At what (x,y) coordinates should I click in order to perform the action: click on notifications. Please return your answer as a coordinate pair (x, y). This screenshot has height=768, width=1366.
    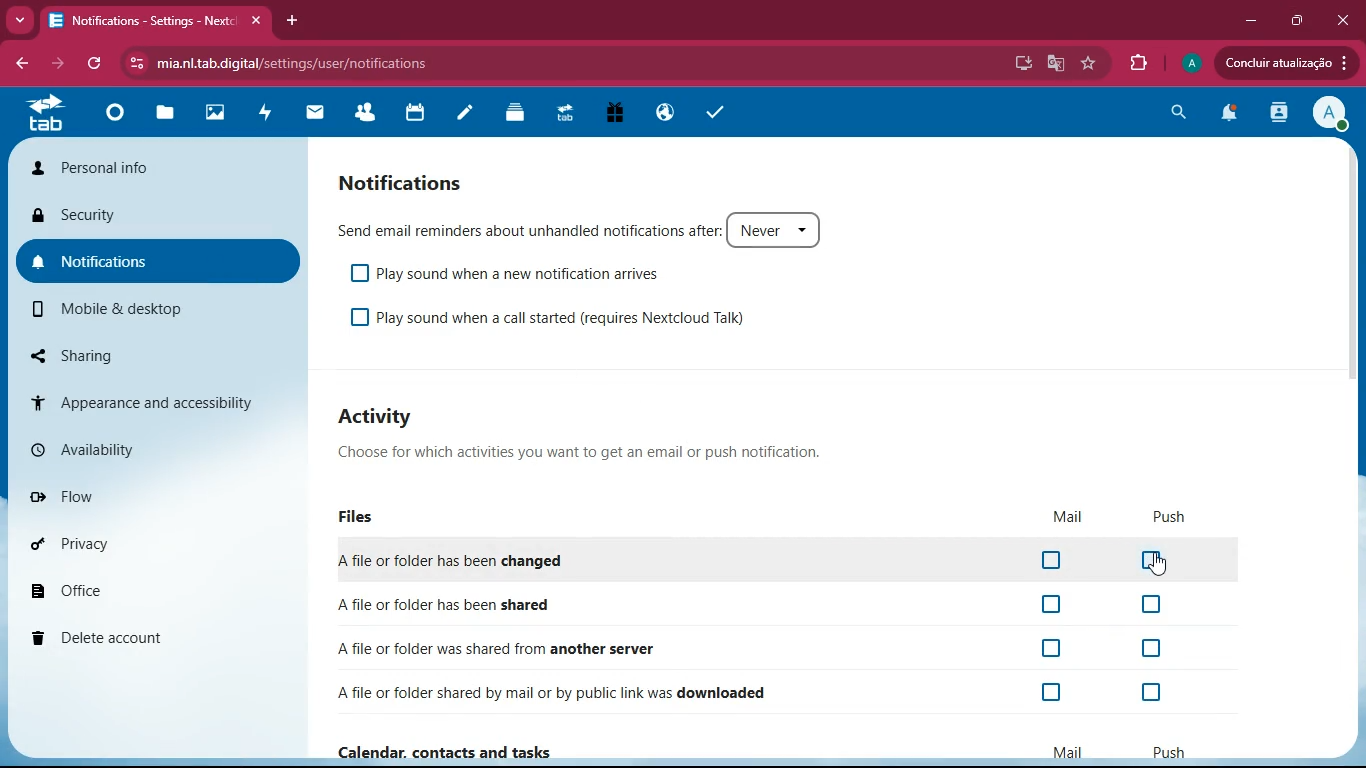
    Looking at the image, I should click on (415, 180).